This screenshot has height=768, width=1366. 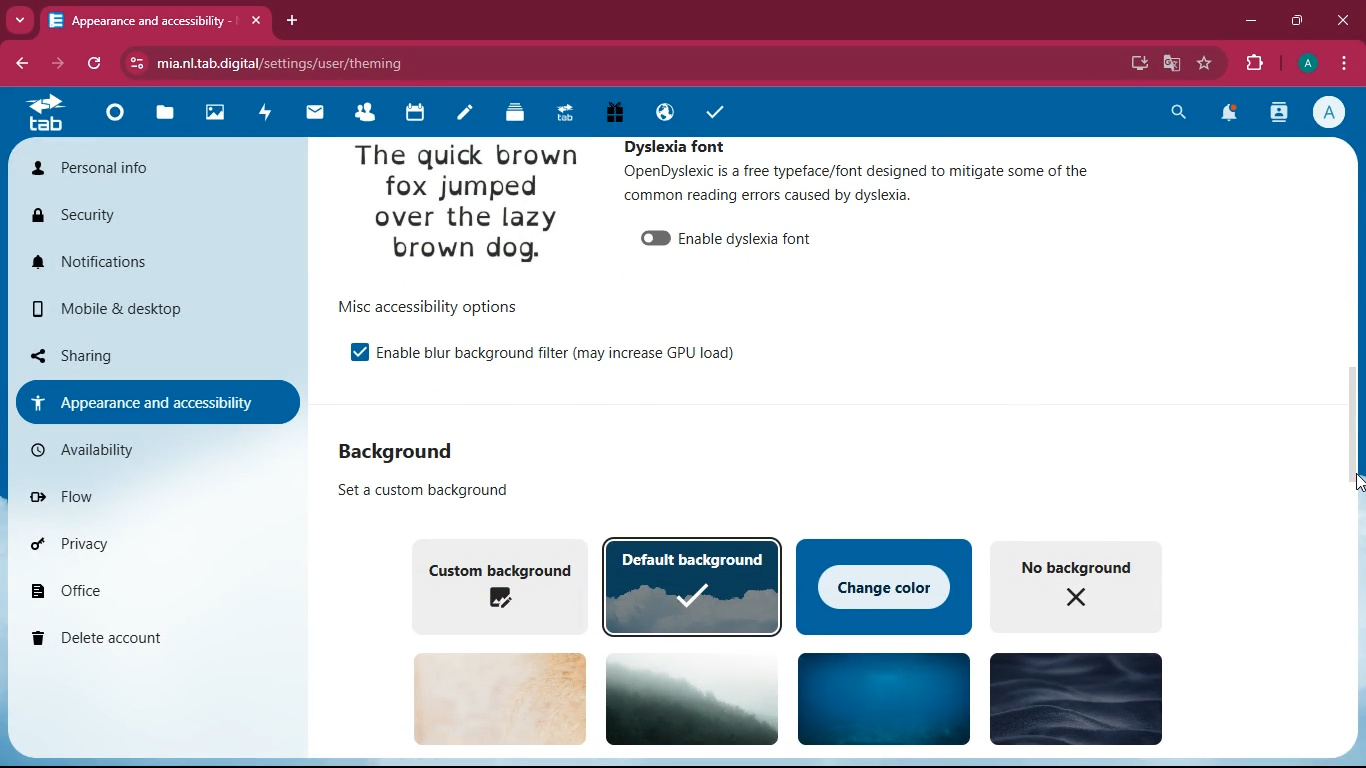 What do you see at coordinates (497, 584) in the screenshot?
I see `custom background` at bounding box center [497, 584].